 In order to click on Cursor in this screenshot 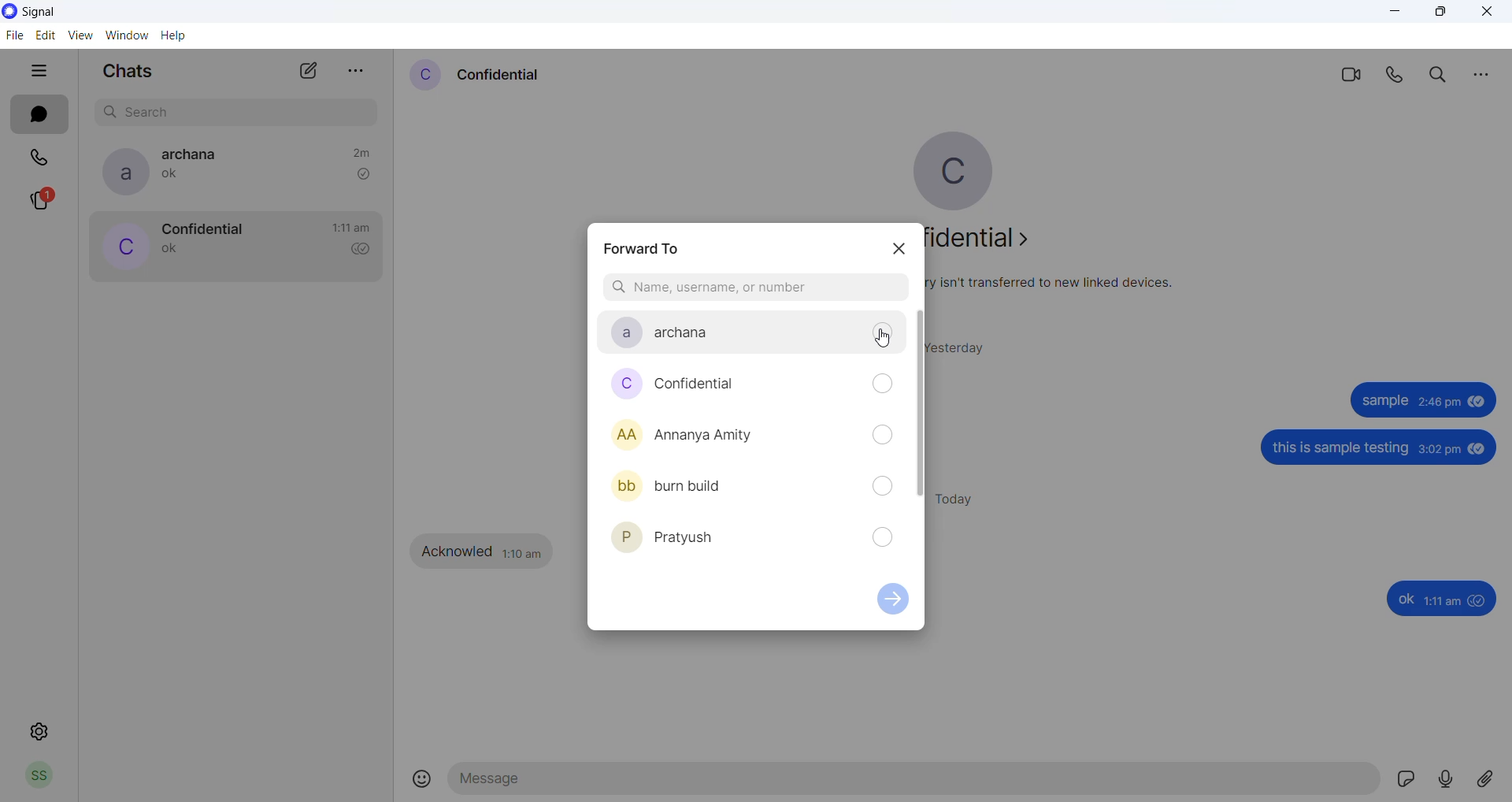, I will do `click(884, 340)`.